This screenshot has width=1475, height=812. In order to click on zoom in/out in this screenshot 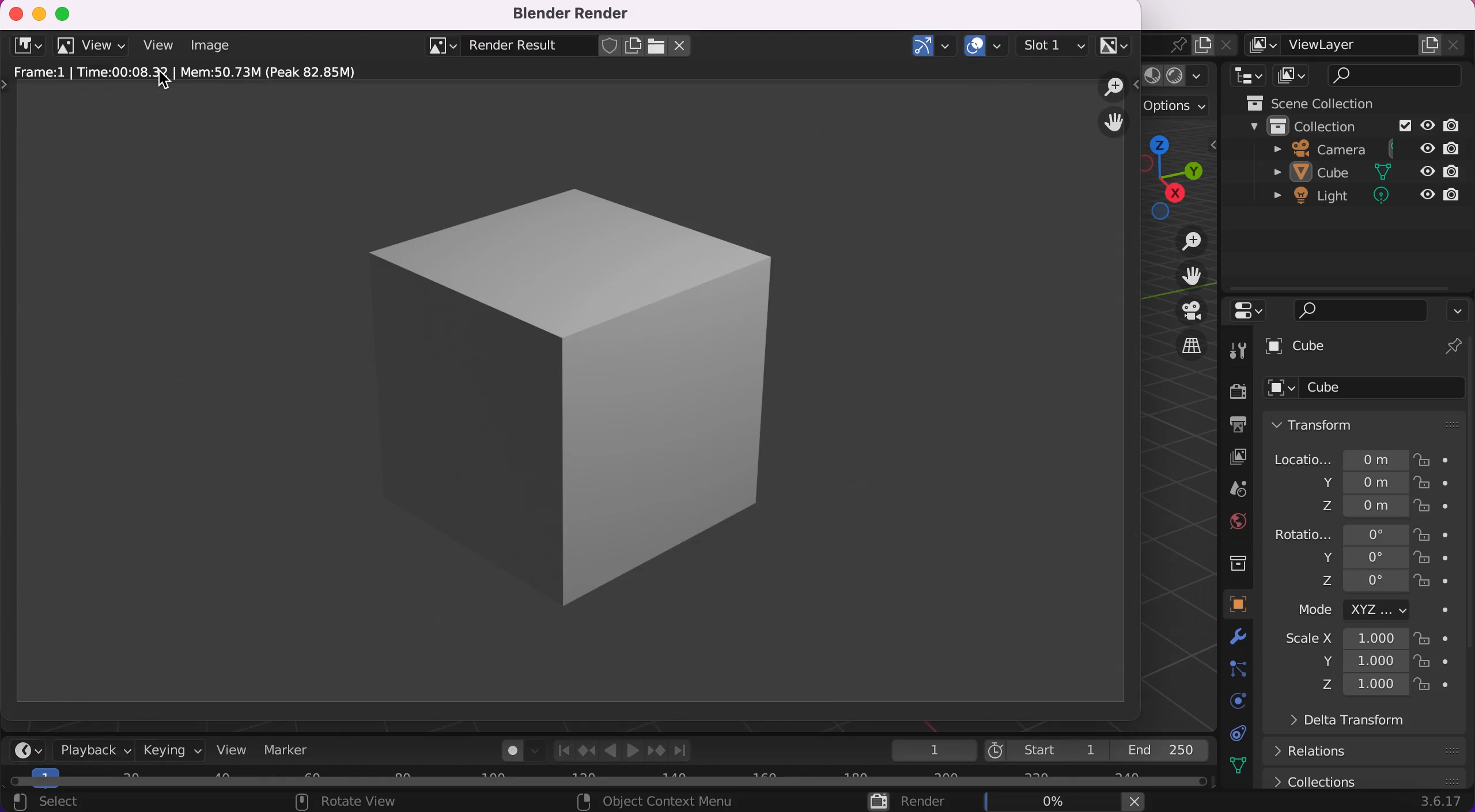, I will do `click(1186, 243)`.